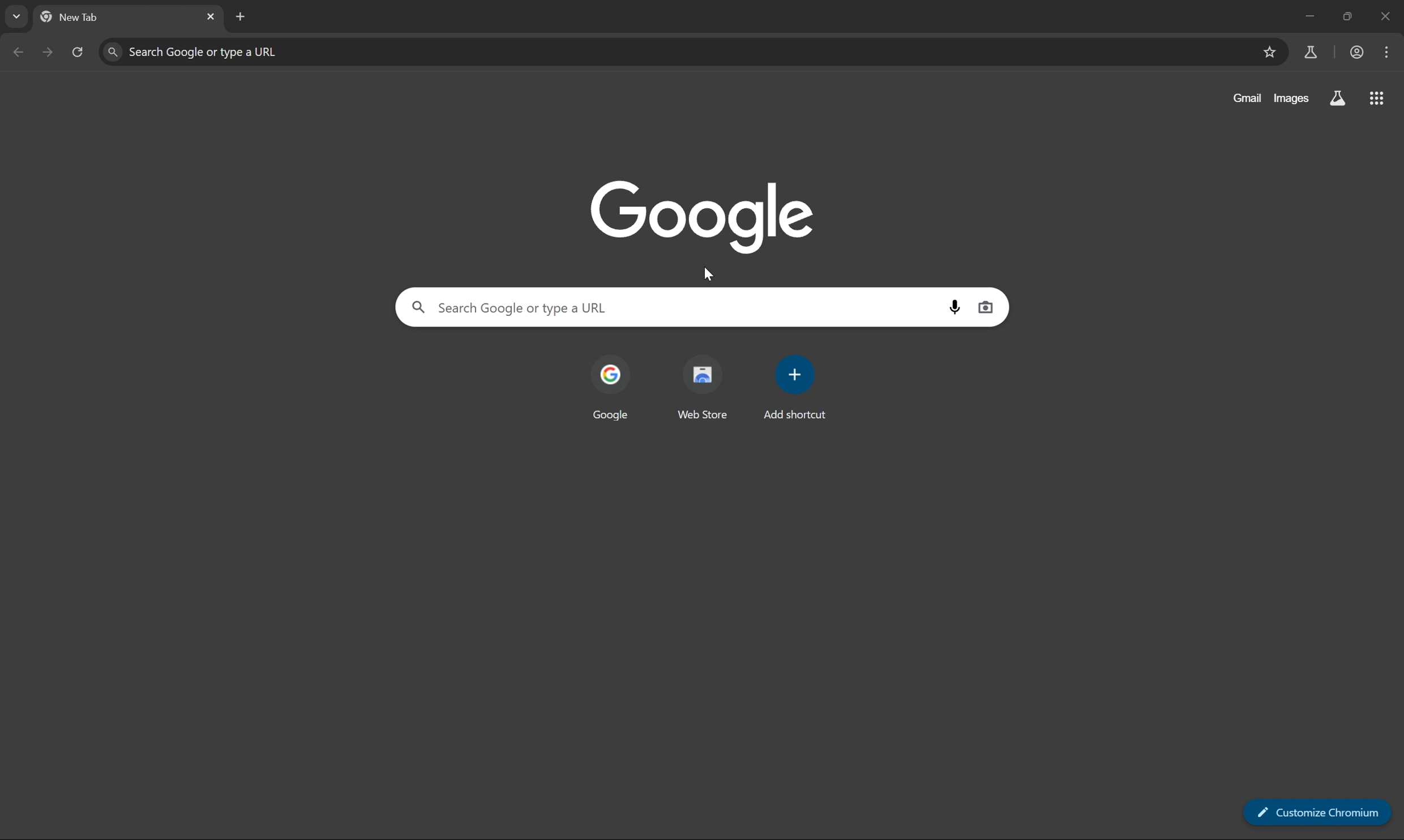 This screenshot has width=1404, height=840. Describe the element at coordinates (48, 52) in the screenshot. I see `next` at that location.